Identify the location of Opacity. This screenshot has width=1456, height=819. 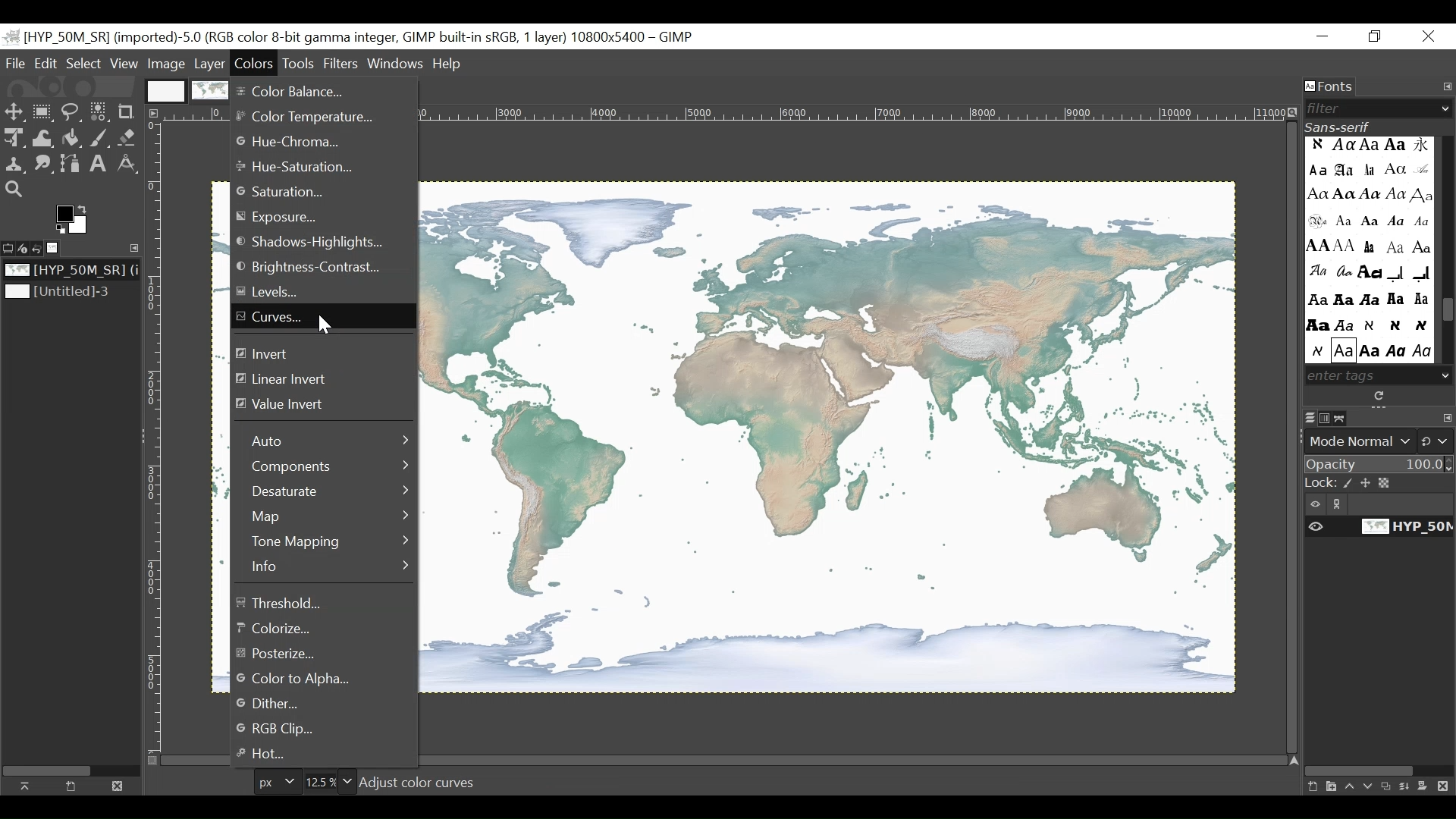
(1379, 466).